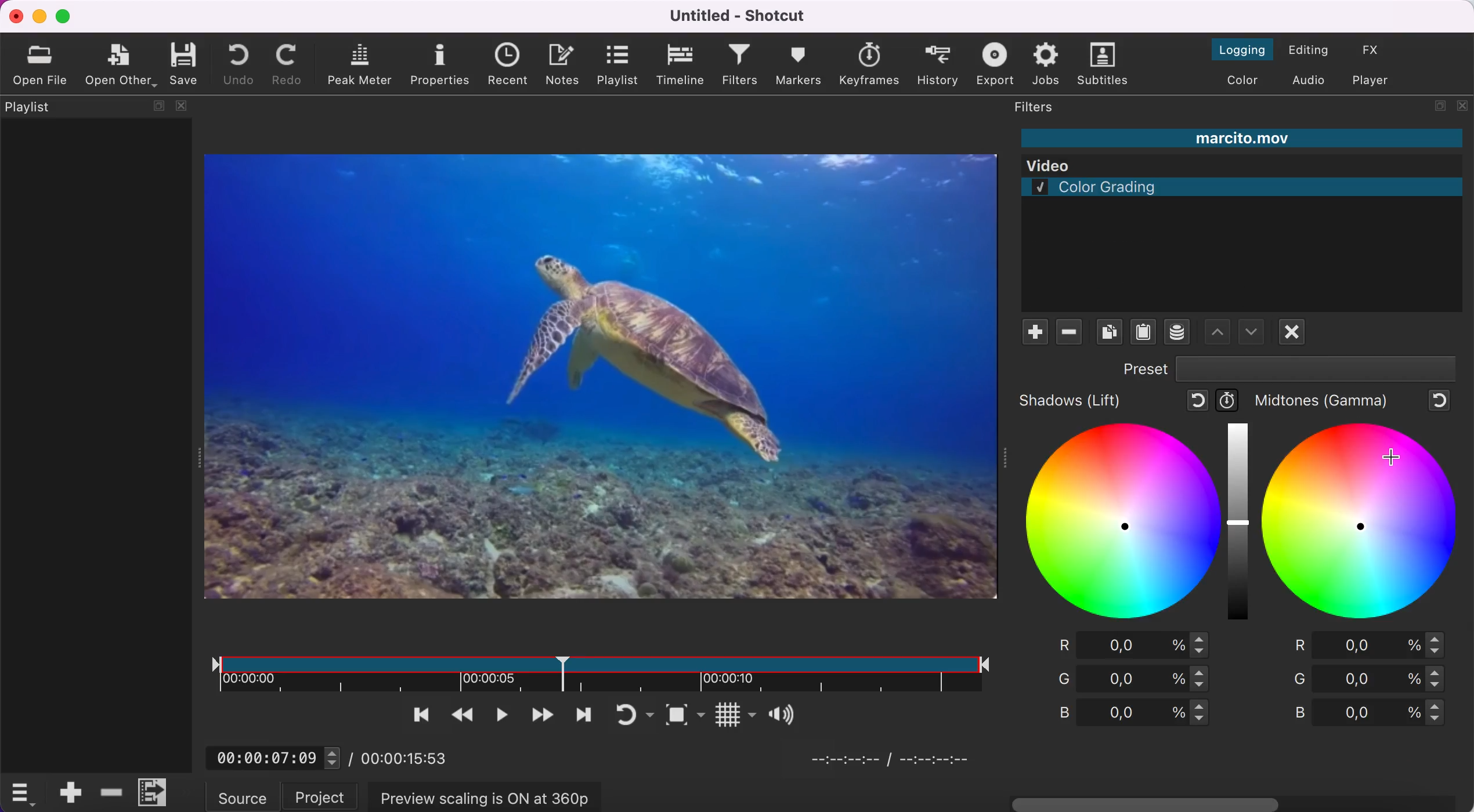 The height and width of the screenshot is (812, 1474). Describe the element at coordinates (1367, 712) in the screenshot. I see `blue` at that location.